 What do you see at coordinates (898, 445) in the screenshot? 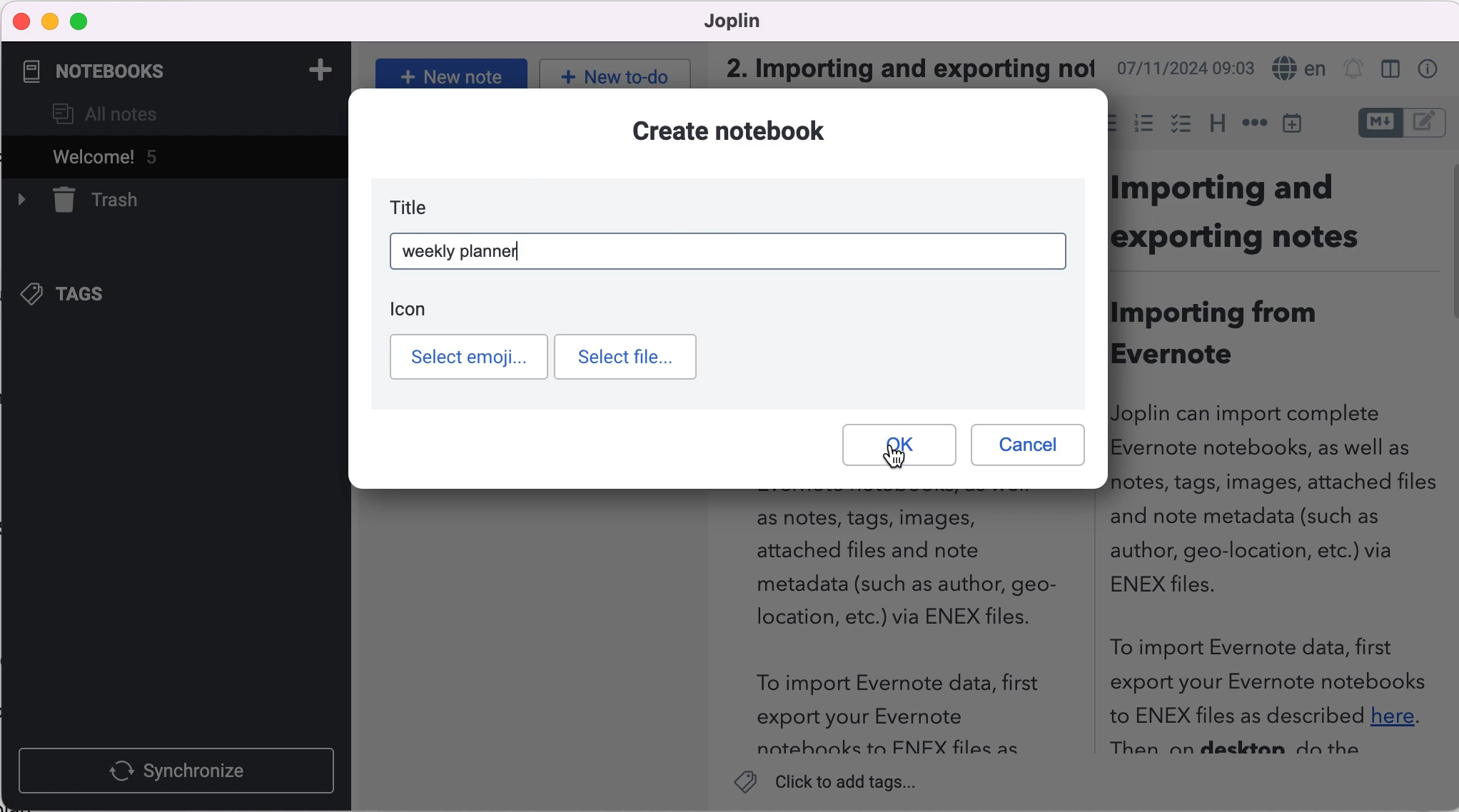
I see `ok` at bounding box center [898, 445].